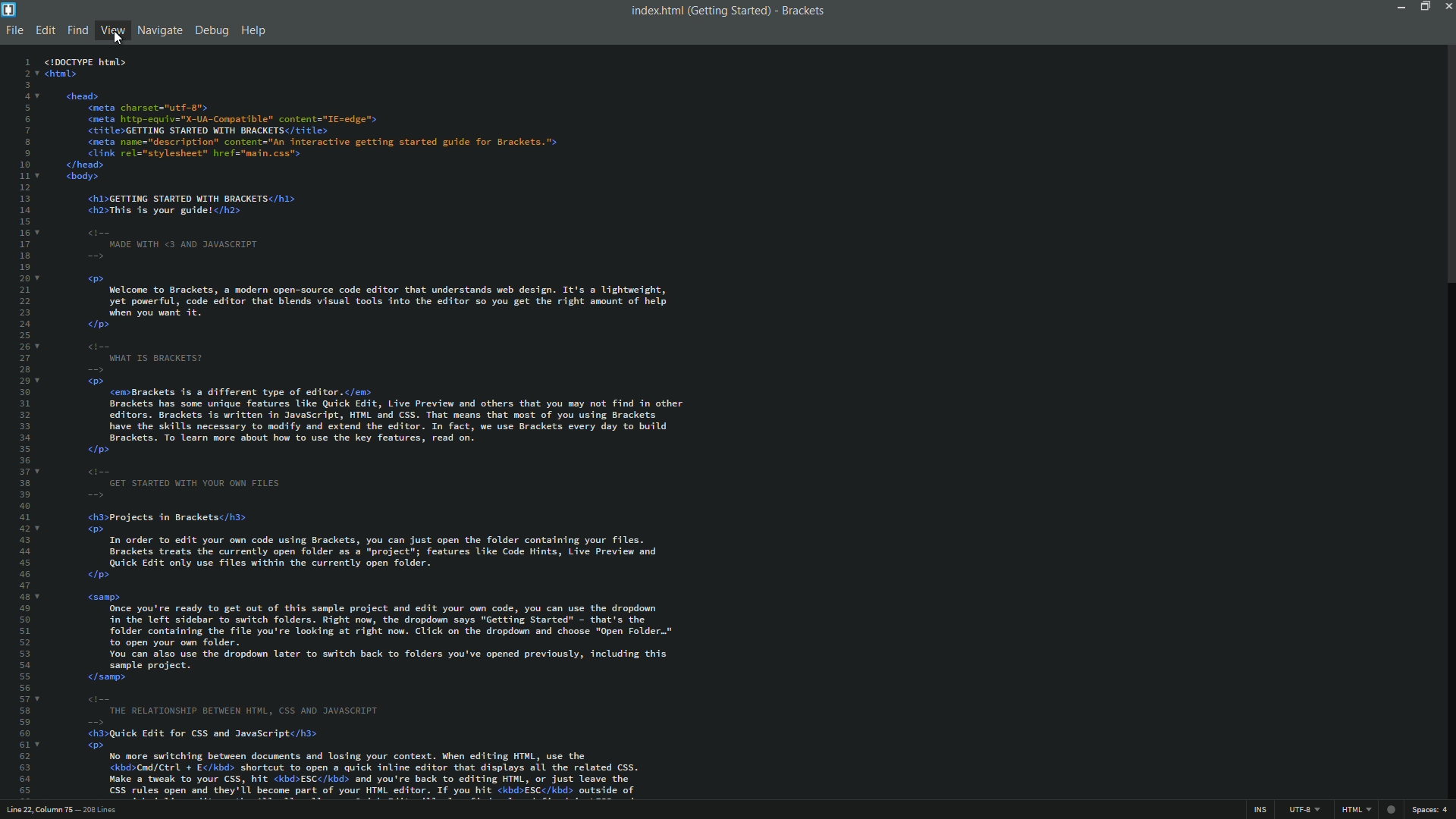 Image resolution: width=1456 pixels, height=819 pixels. What do you see at coordinates (253, 32) in the screenshot?
I see `help` at bounding box center [253, 32].